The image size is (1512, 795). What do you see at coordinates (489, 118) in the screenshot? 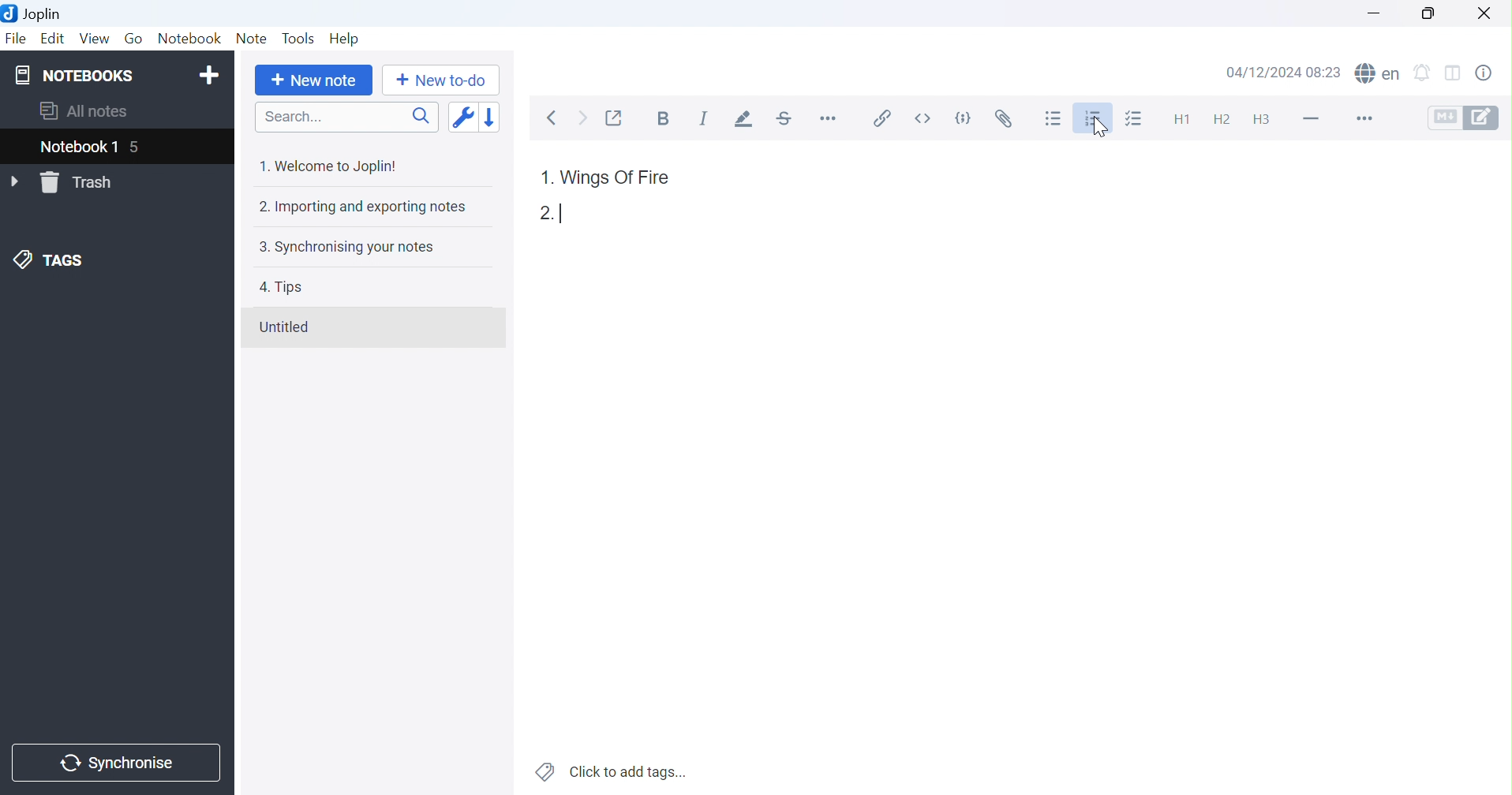
I see `Reverse sort order` at bounding box center [489, 118].